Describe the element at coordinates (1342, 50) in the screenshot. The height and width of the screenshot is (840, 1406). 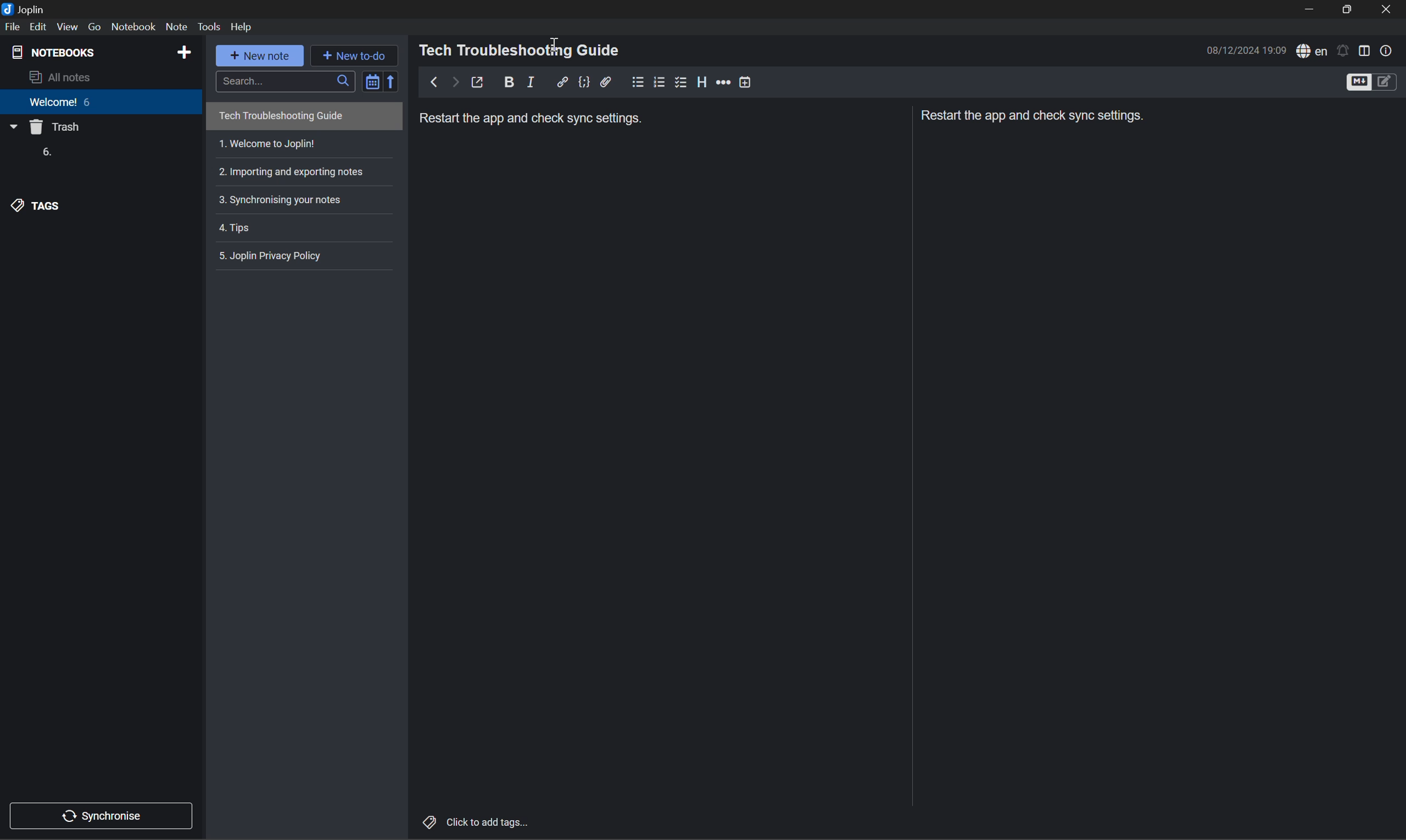
I see `Set alarm` at that location.